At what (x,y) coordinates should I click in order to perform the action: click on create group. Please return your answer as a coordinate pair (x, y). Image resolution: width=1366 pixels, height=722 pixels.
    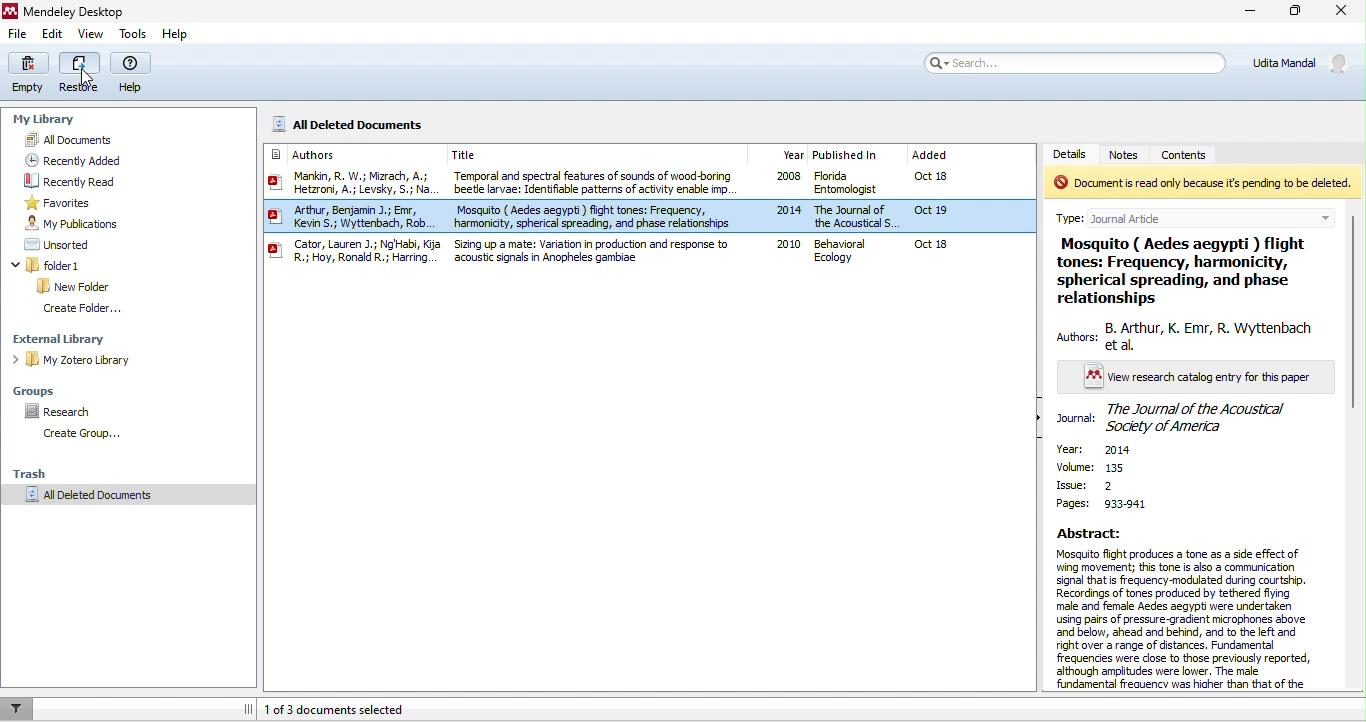
    Looking at the image, I should click on (87, 437).